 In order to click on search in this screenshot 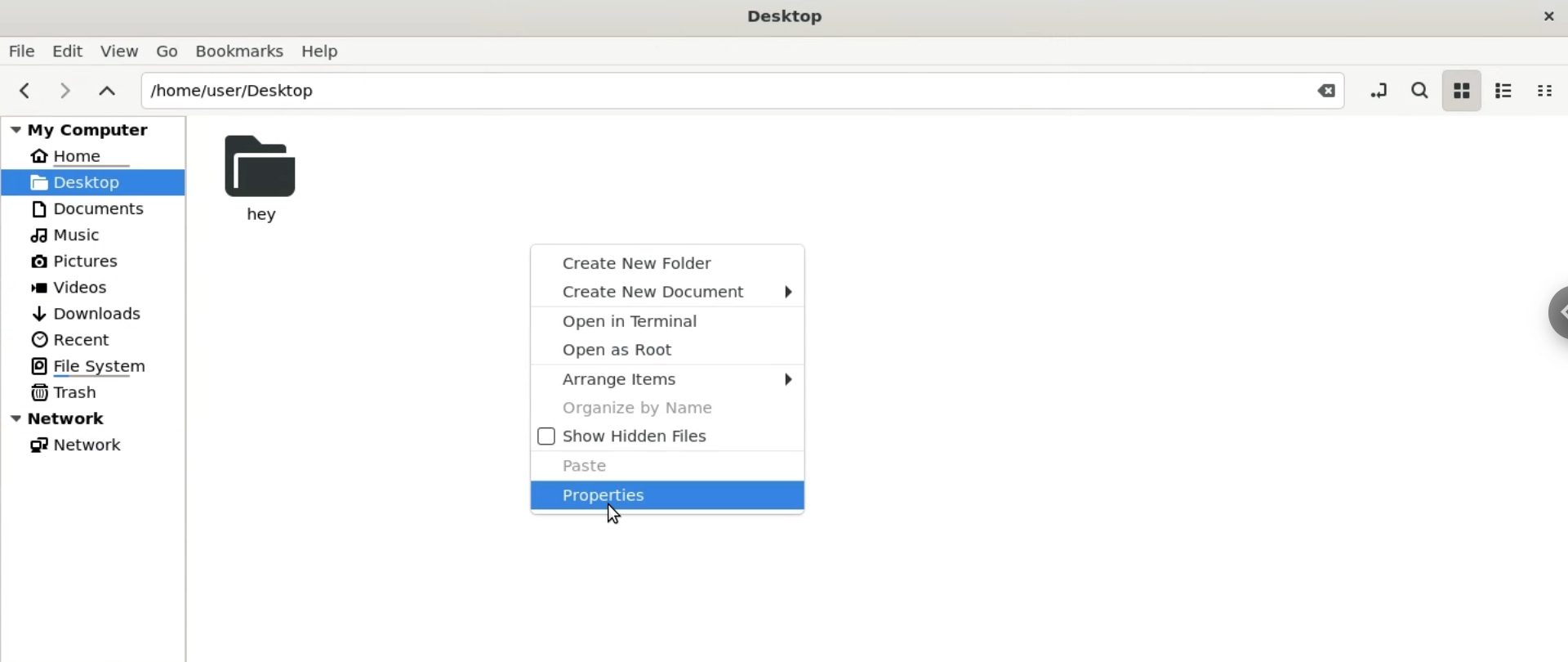, I will do `click(1418, 92)`.